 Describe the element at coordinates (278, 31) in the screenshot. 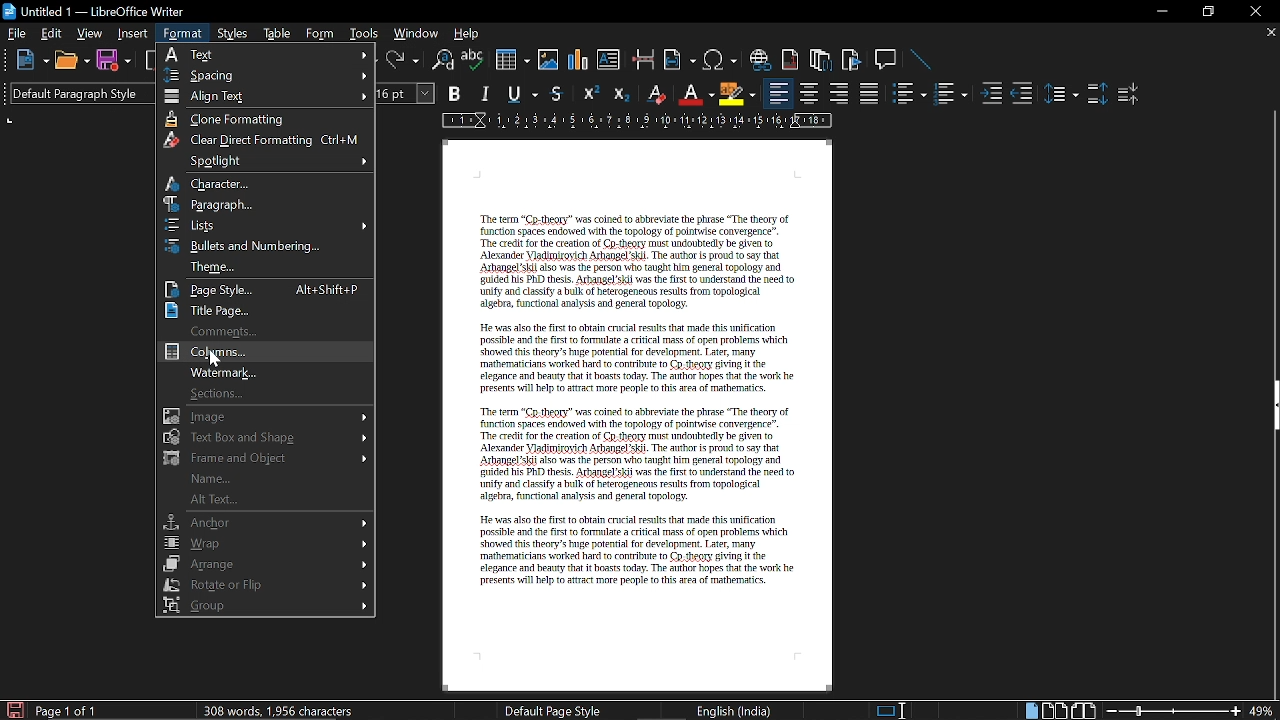

I see `Table` at that location.